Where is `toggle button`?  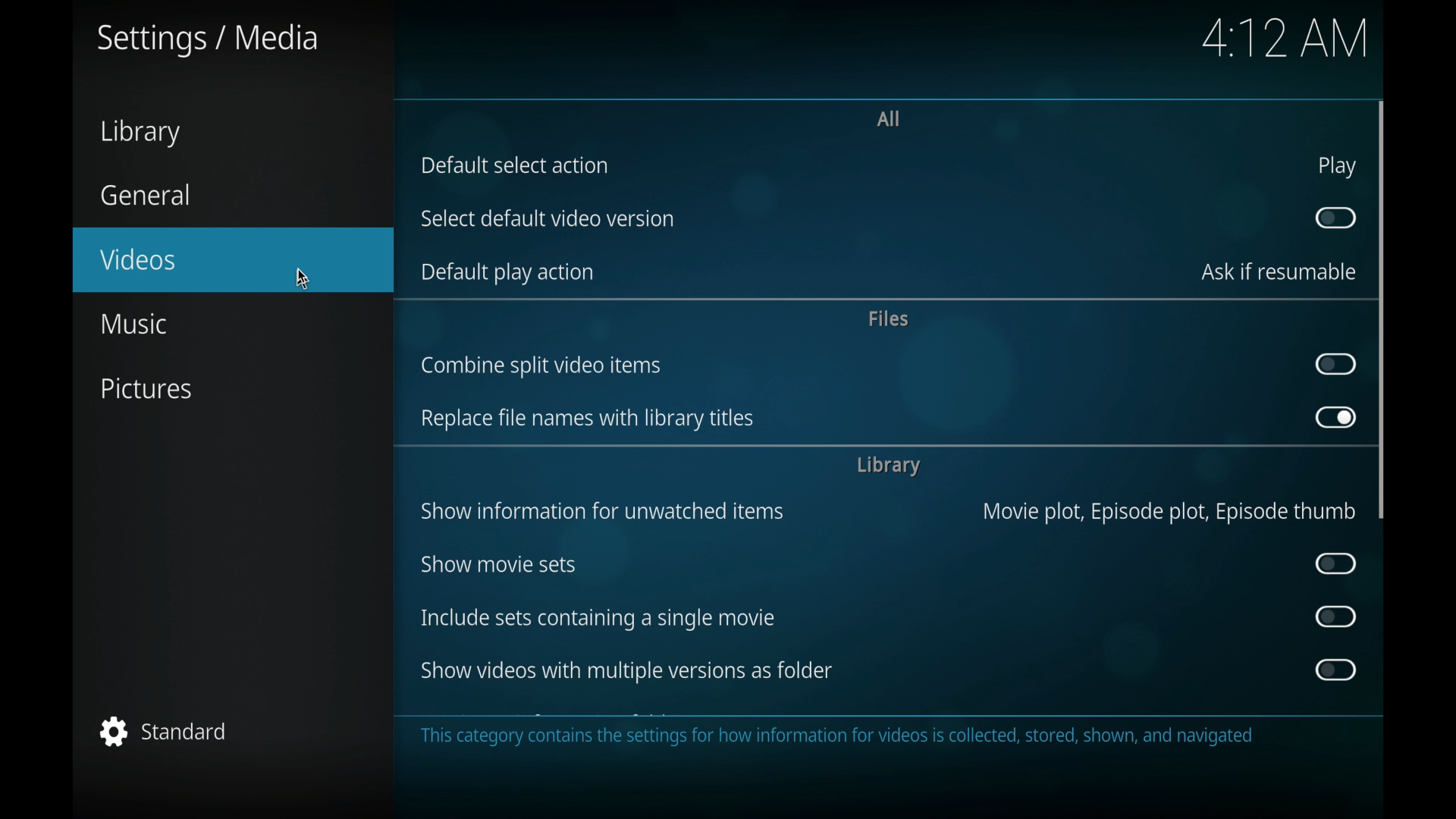 toggle button is located at coordinates (1338, 670).